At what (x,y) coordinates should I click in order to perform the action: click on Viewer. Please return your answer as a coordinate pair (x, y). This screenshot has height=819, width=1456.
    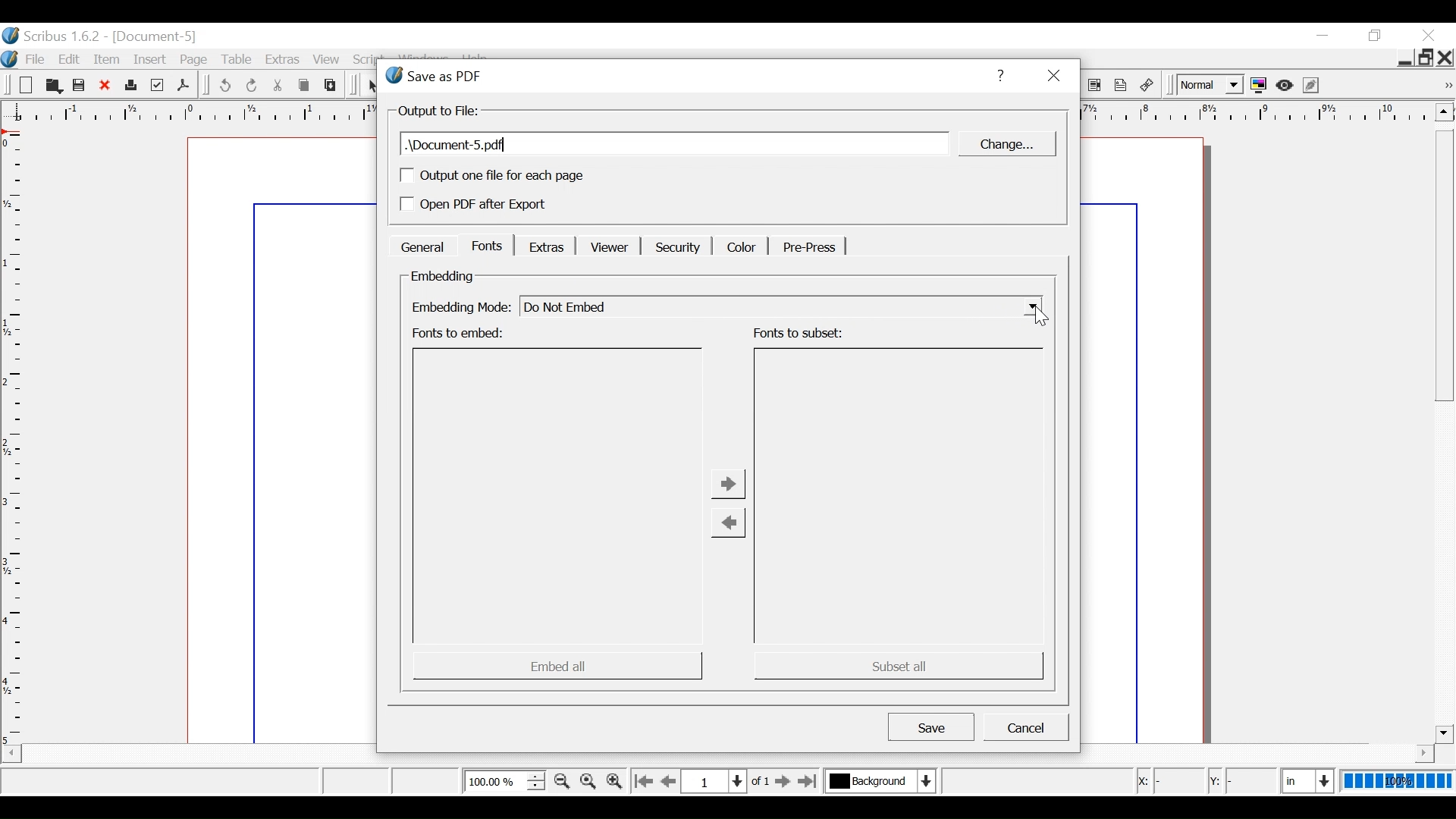
    Looking at the image, I should click on (606, 247).